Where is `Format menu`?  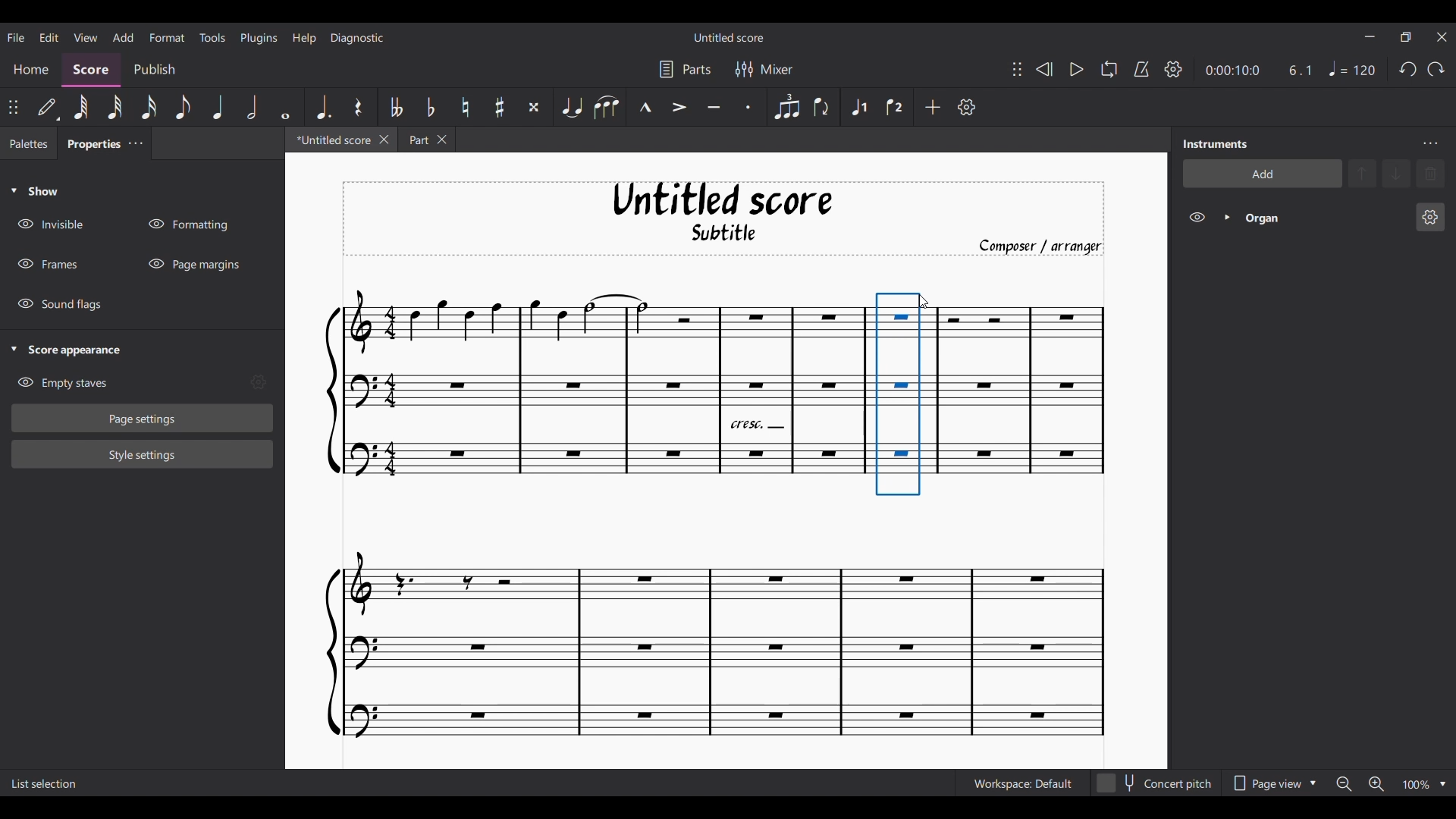
Format menu is located at coordinates (166, 37).